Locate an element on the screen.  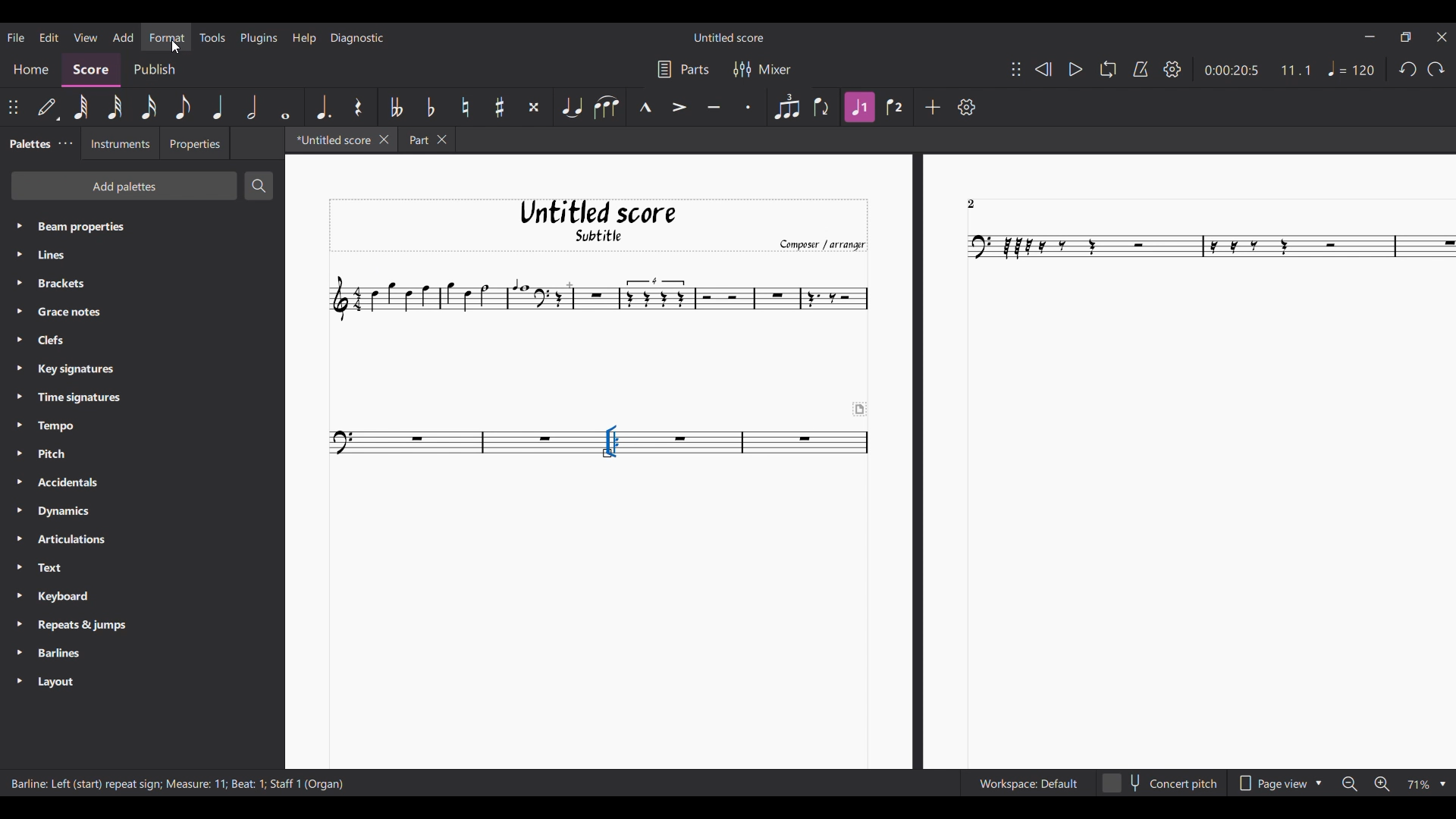
Toggle double sharp is located at coordinates (533, 108).